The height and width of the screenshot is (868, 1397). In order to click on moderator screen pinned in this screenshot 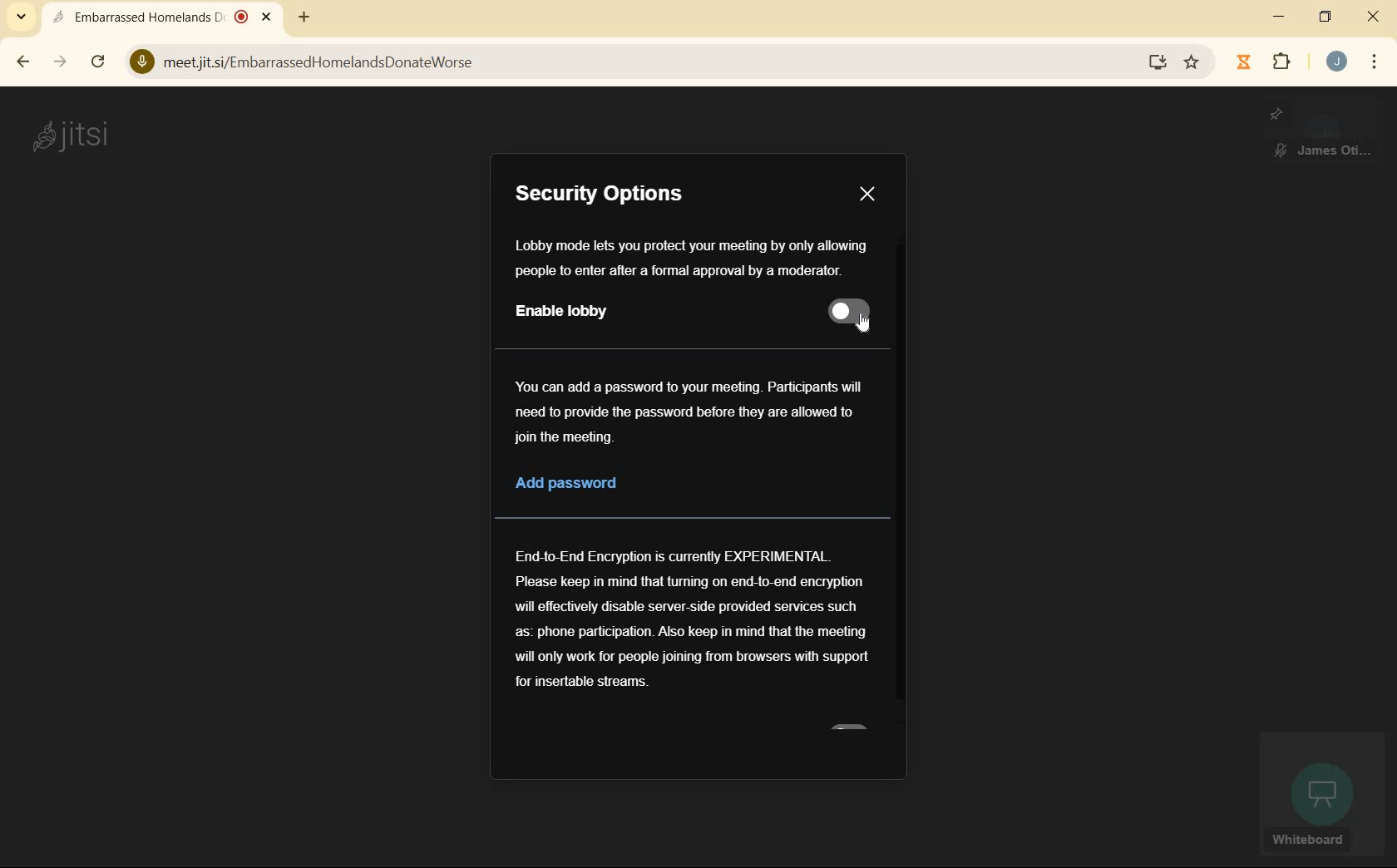, I will do `click(1322, 135)`.